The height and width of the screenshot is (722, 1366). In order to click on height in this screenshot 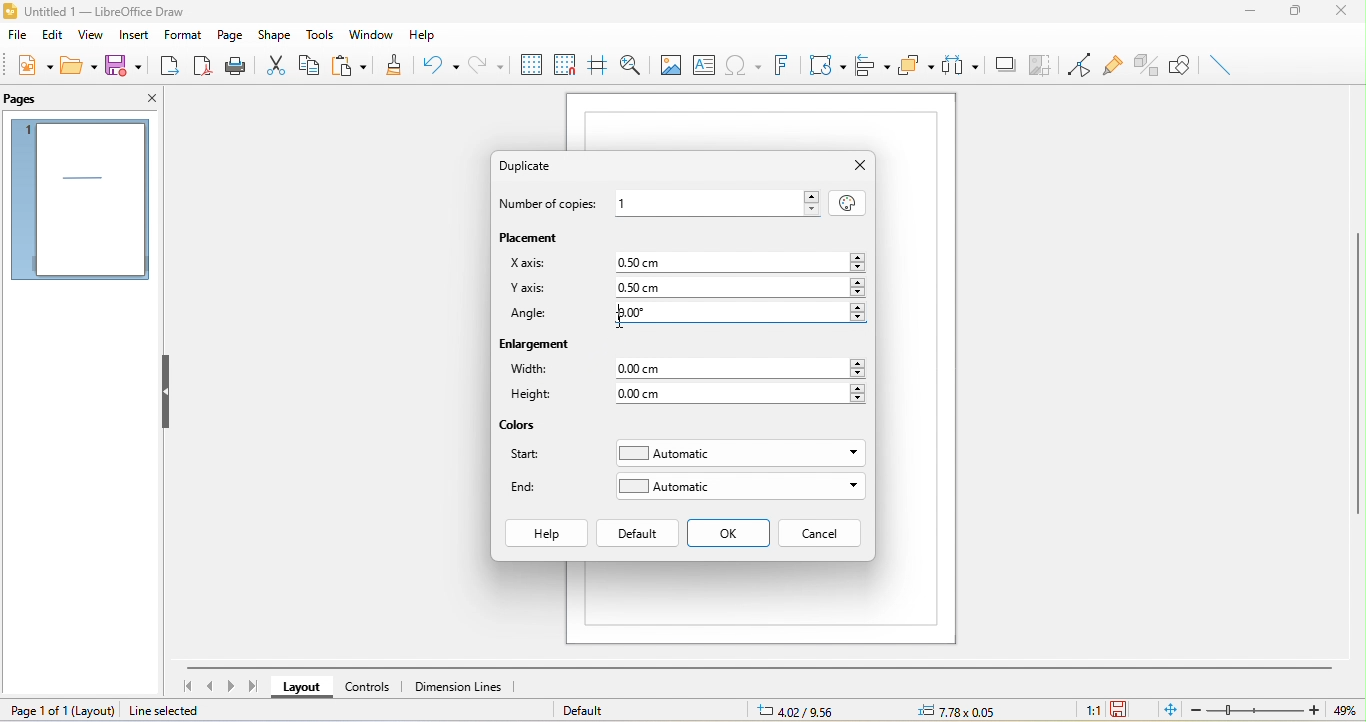, I will do `click(538, 397)`.